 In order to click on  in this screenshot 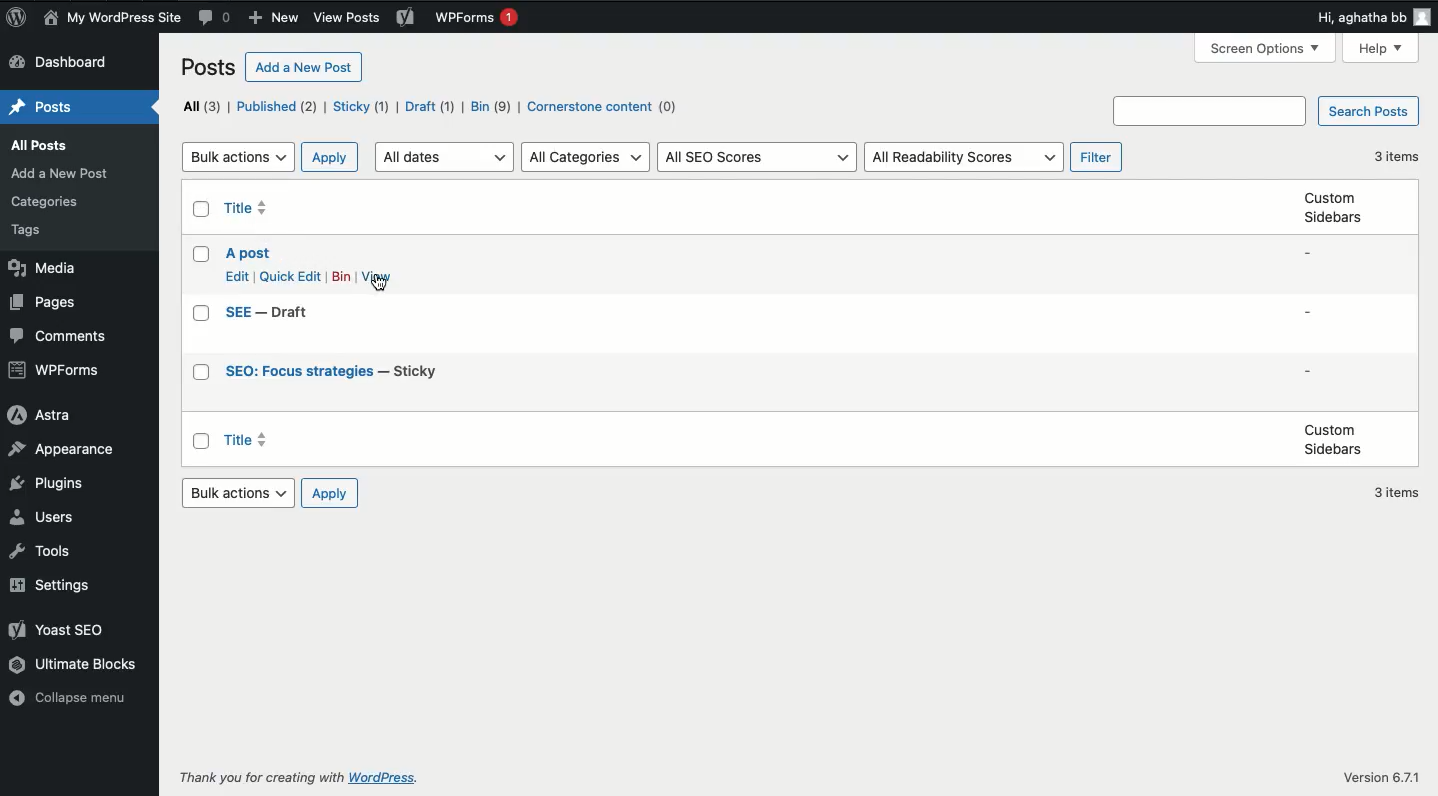, I will do `click(29, 229)`.